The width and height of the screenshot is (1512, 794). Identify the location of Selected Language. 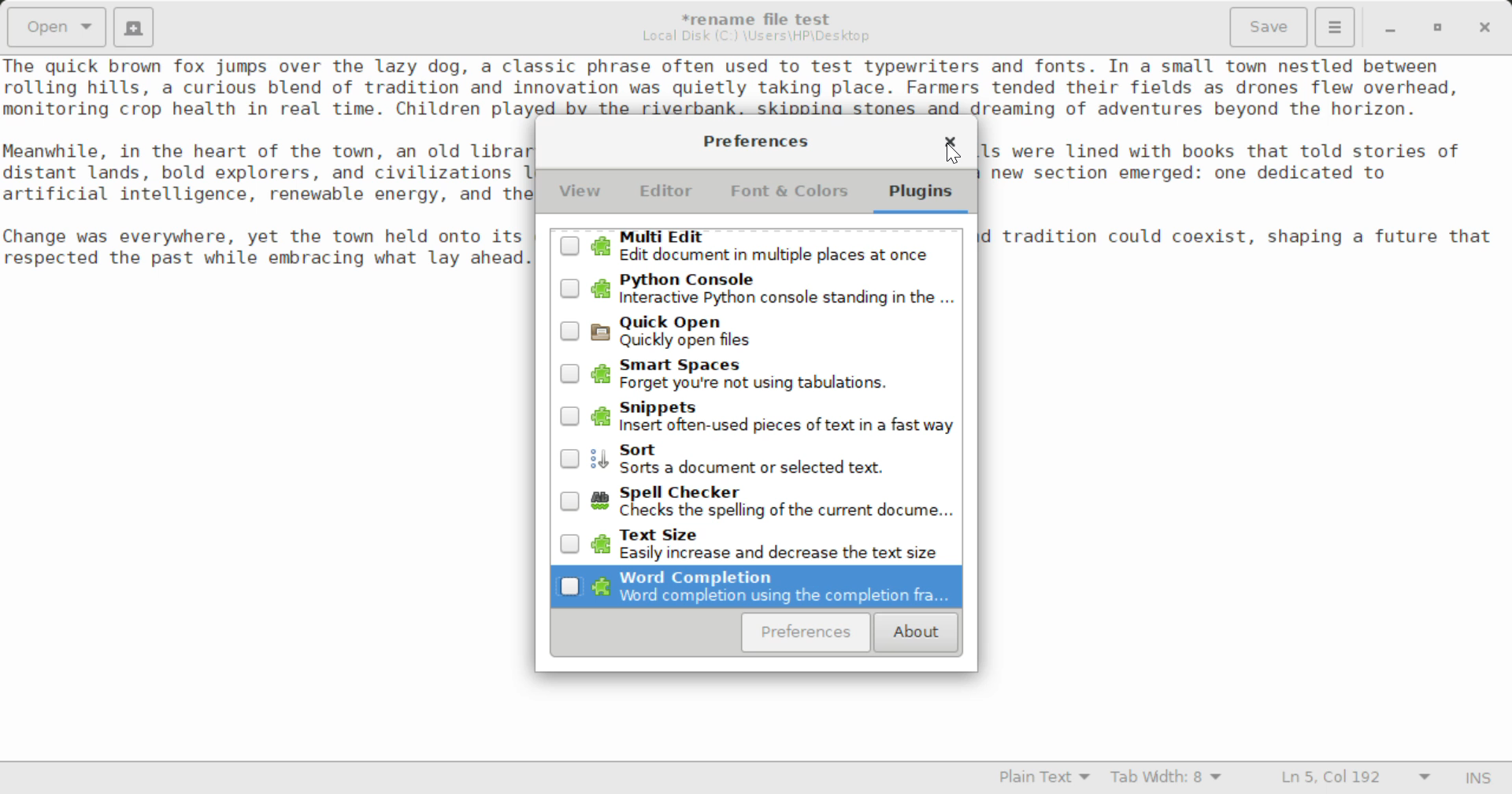
(1045, 779).